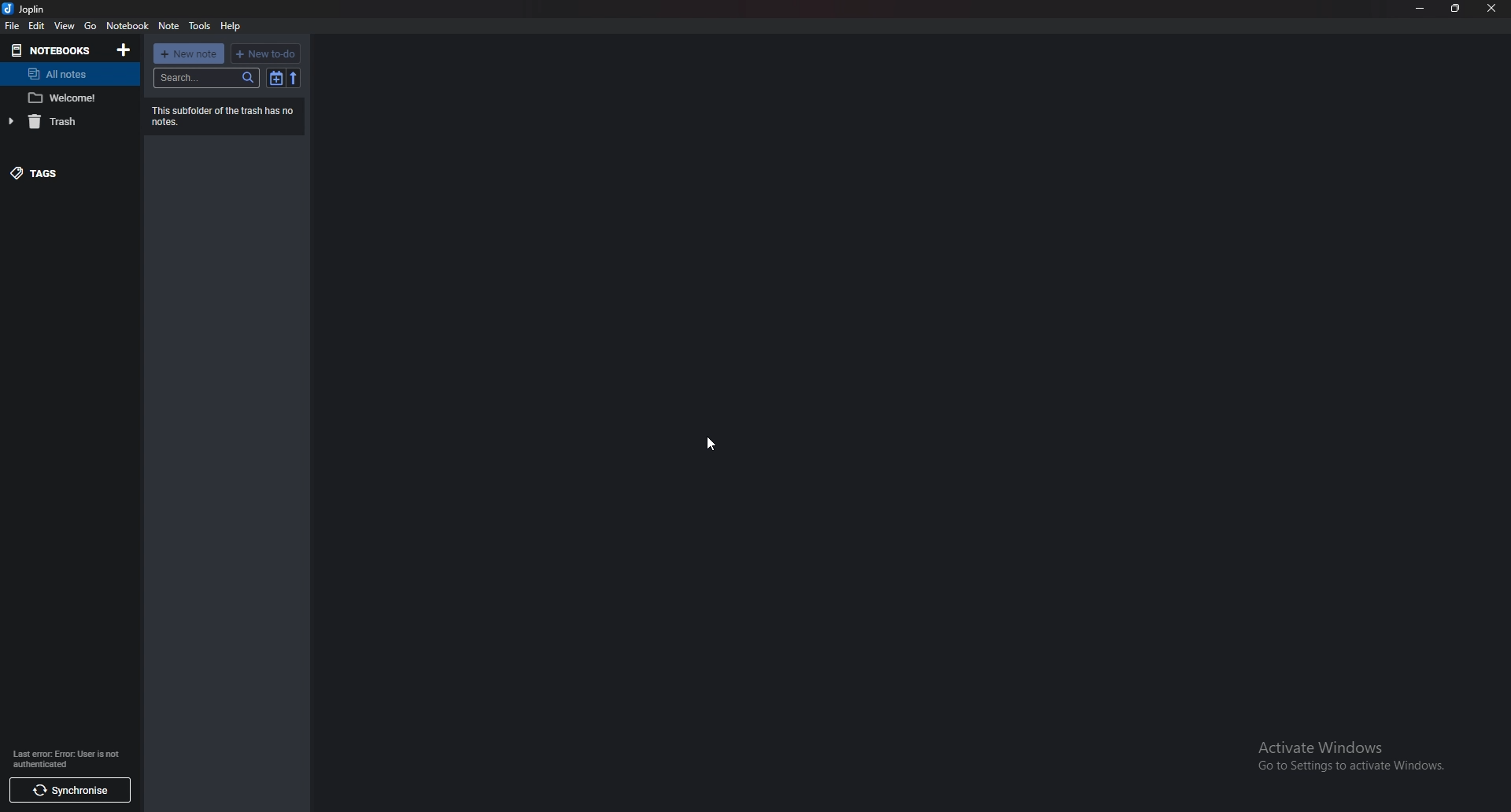  What do you see at coordinates (12, 24) in the screenshot?
I see `file` at bounding box center [12, 24].